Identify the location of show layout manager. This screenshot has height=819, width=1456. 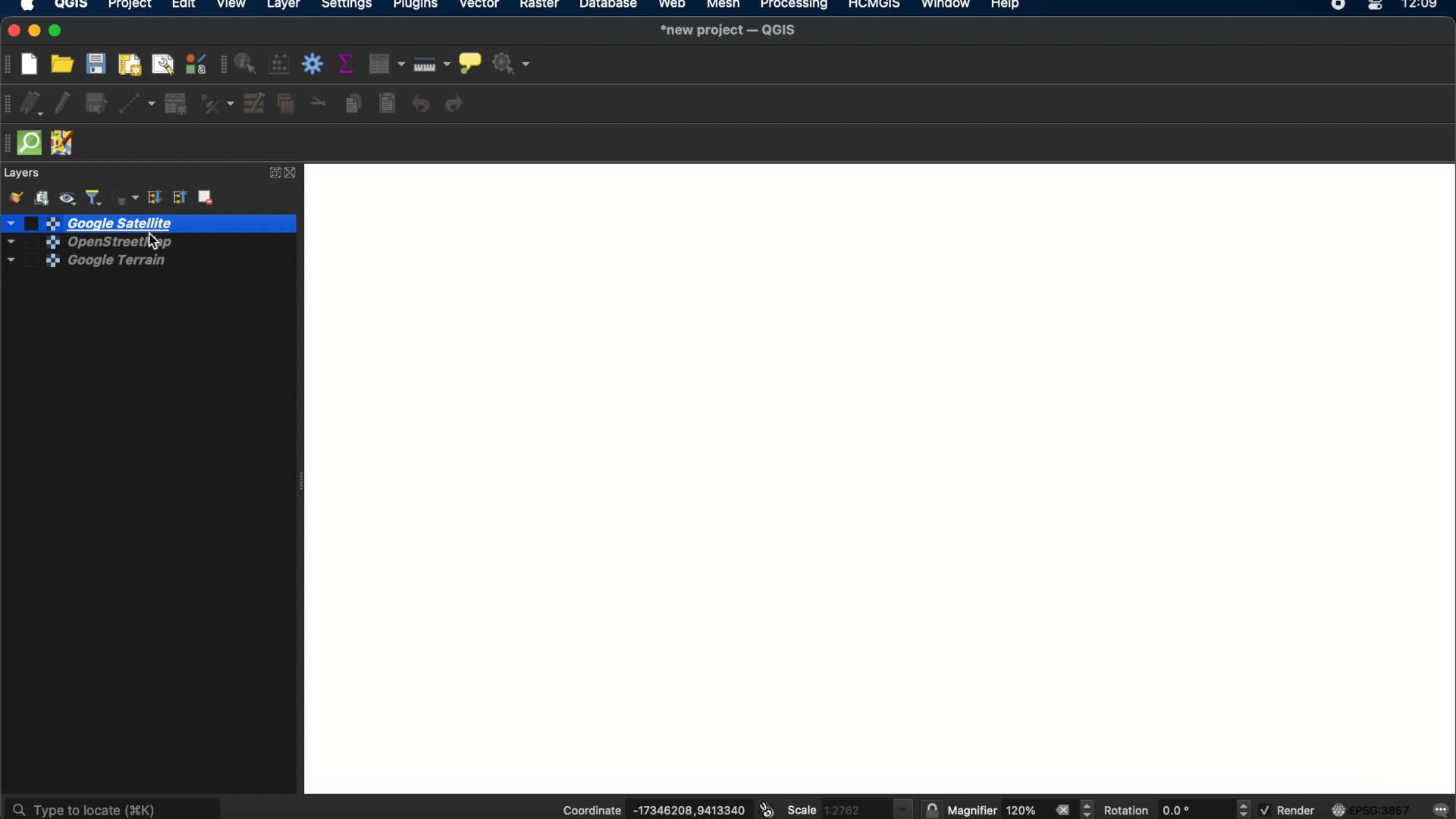
(165, 64).